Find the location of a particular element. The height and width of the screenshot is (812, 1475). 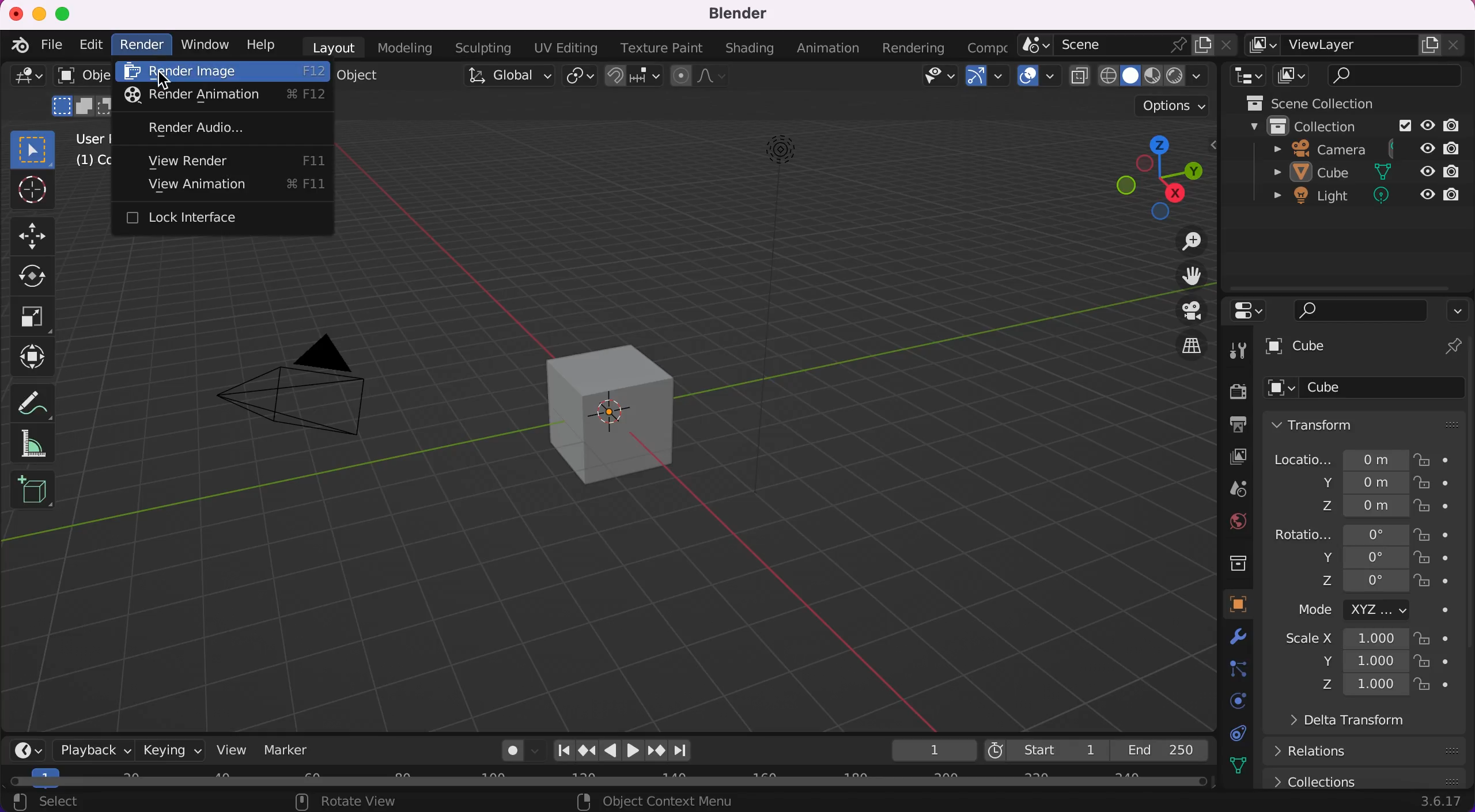

object is located at coordinates (1226, 604).